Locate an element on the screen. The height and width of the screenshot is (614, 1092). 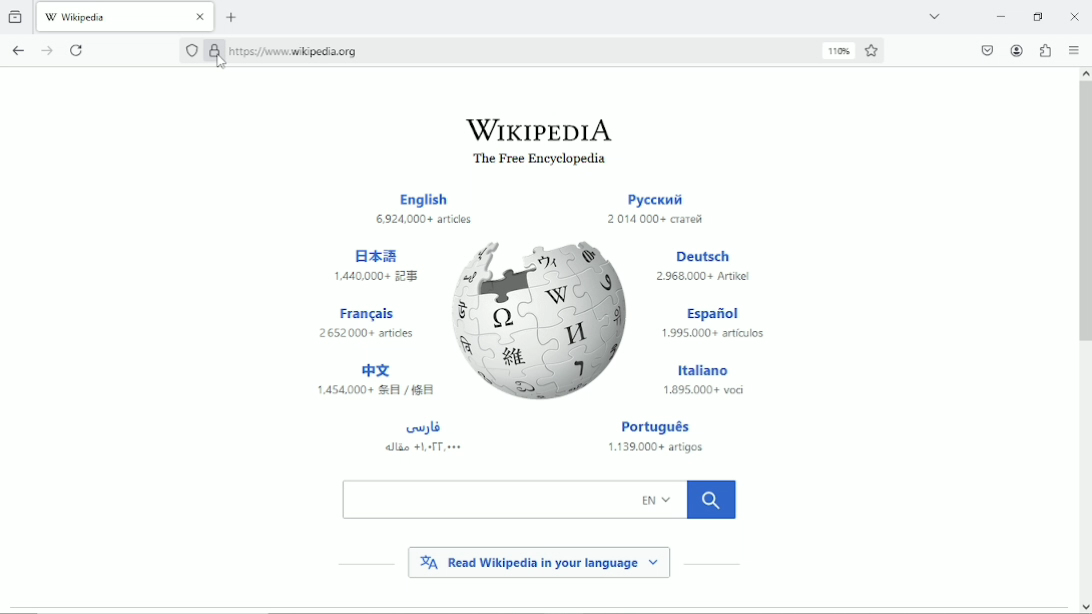
View recent browsing is located at coordinates (17, 15).